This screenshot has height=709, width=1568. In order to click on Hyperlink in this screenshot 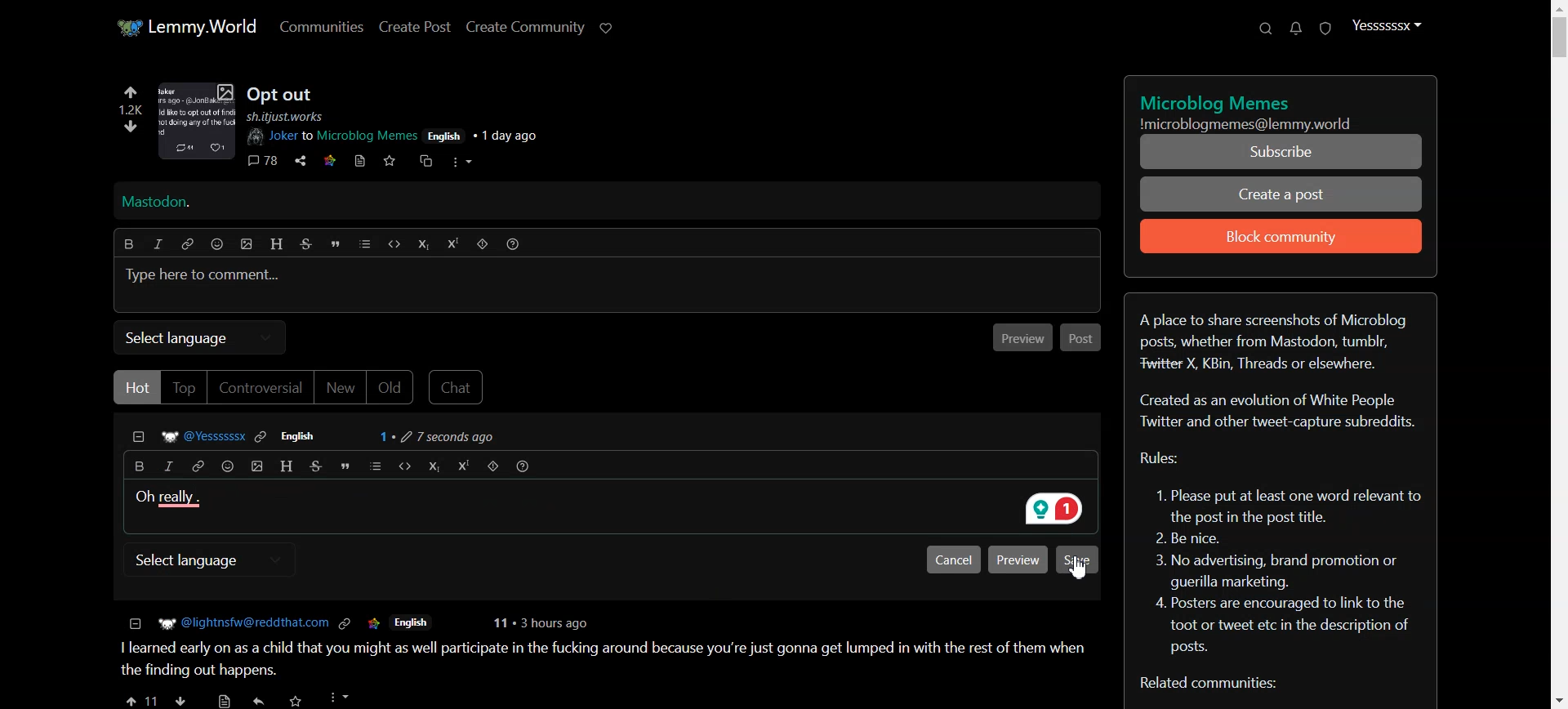, I will do `click(189, 243)`.